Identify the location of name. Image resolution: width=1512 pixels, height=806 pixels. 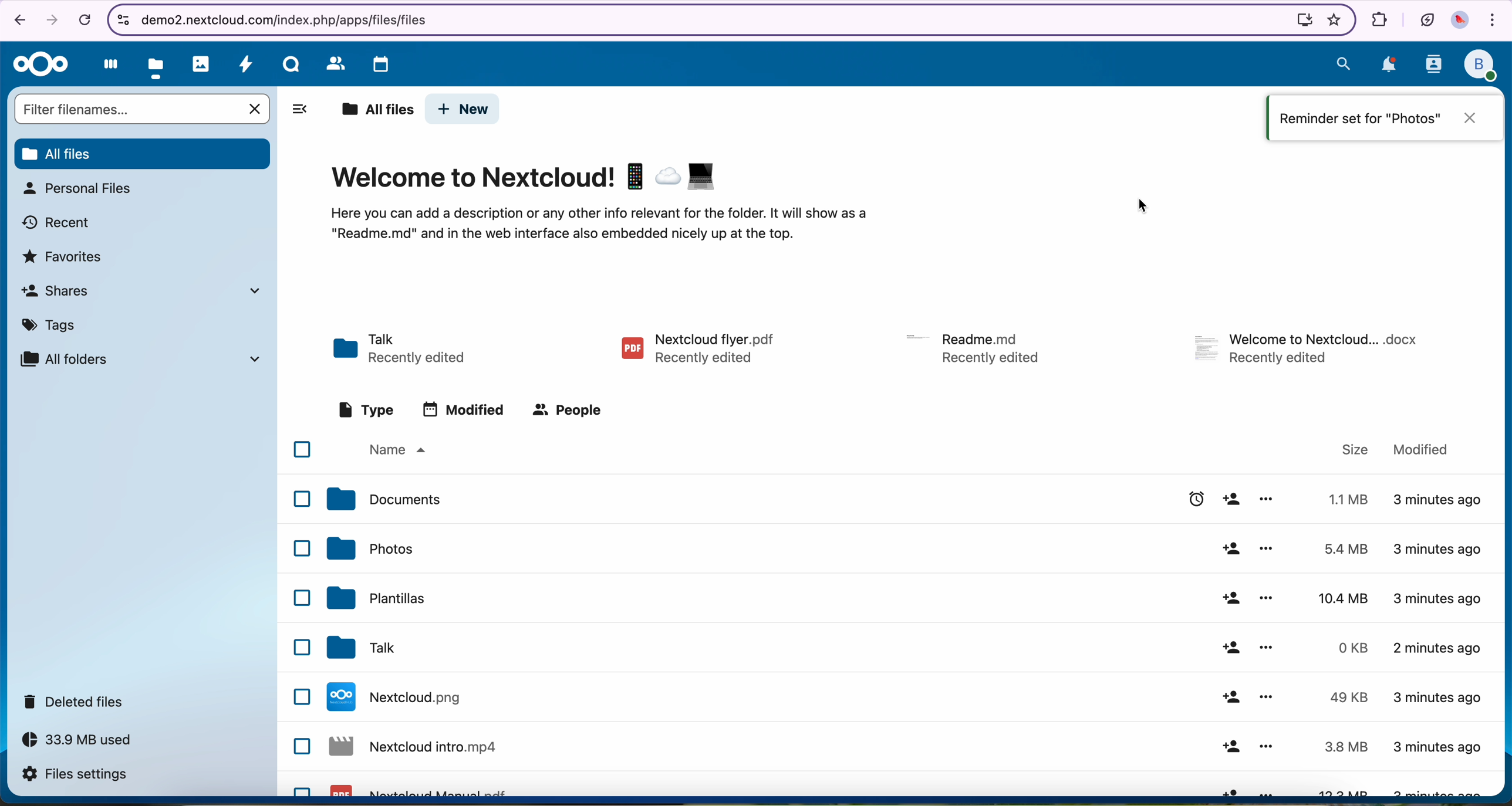
(403, 450).